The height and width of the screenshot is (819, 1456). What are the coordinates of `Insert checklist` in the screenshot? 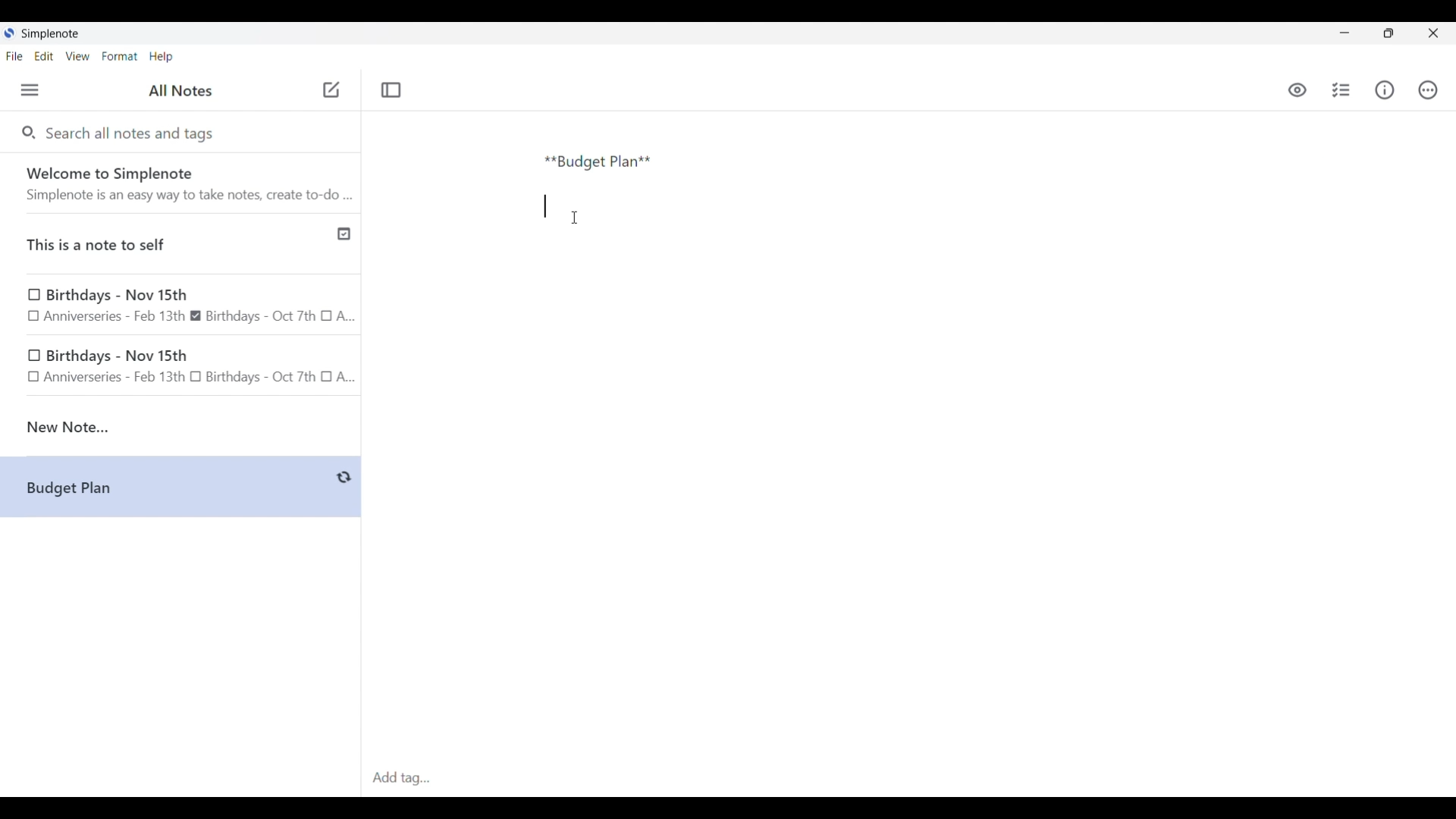 It's located at (1342, 90).